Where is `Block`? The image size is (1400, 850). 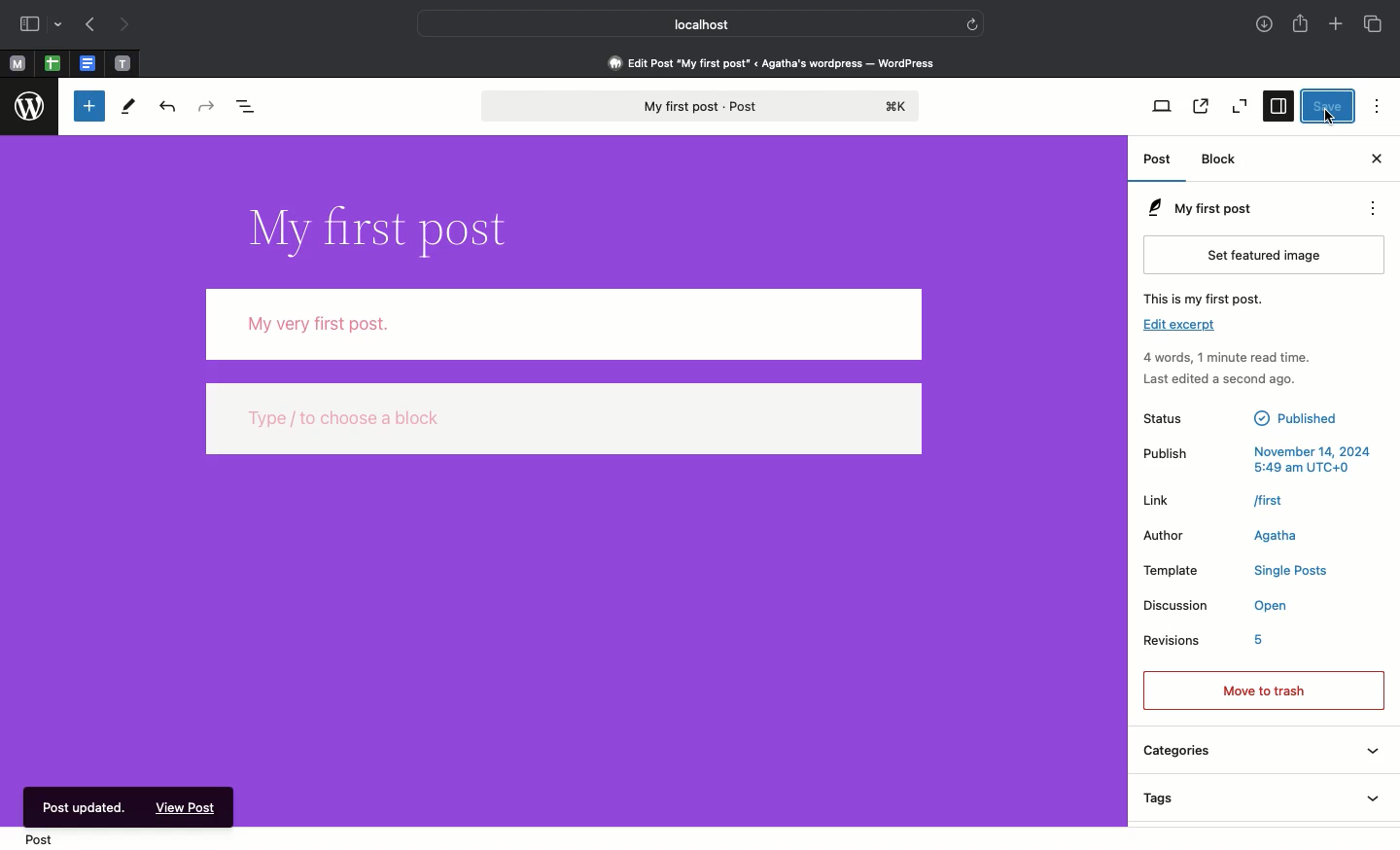 Block is located at coordinates (1224, 159).